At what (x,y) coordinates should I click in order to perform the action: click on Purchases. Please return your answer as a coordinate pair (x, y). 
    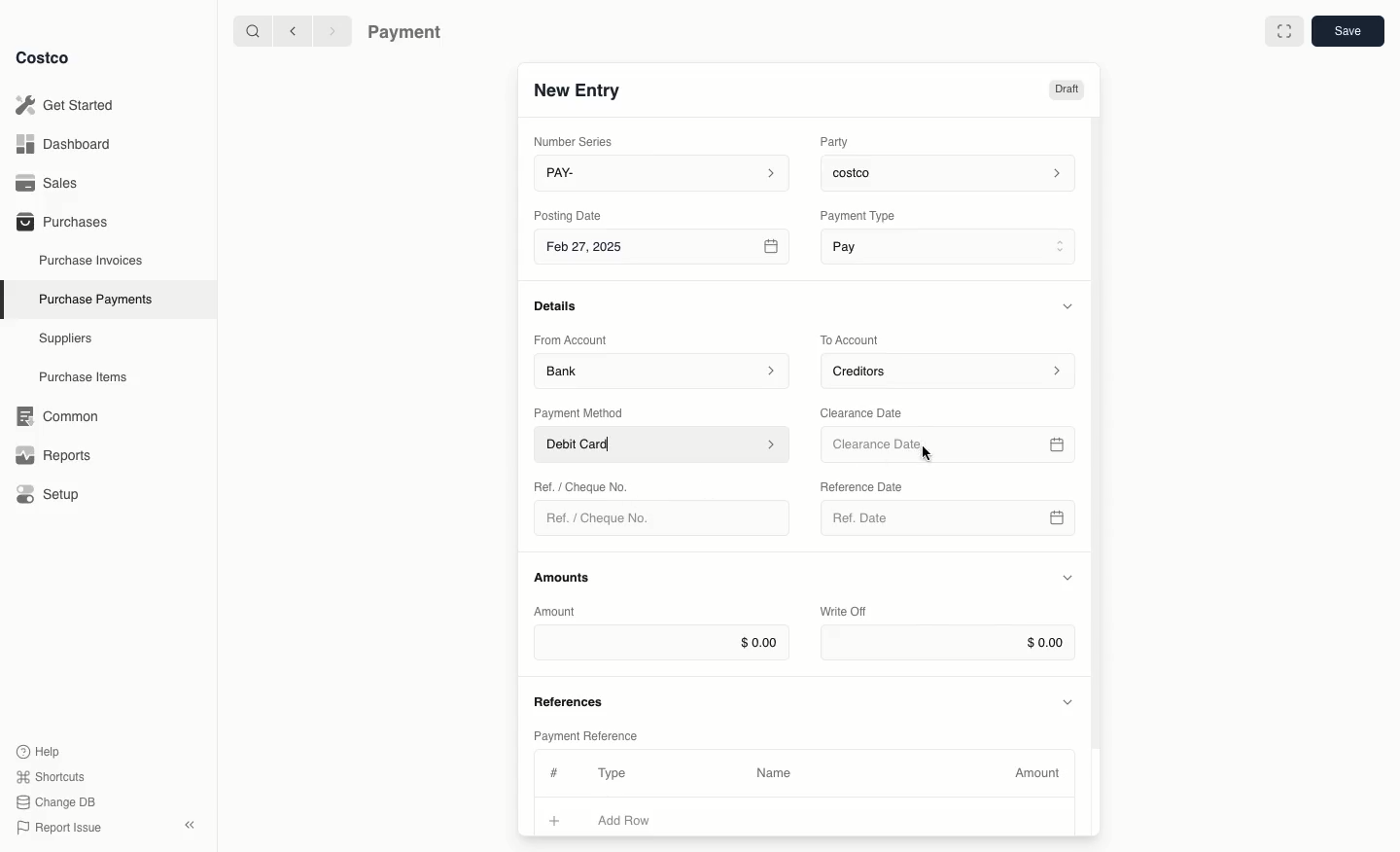
    Looking at the image, I should click on (61, 221).